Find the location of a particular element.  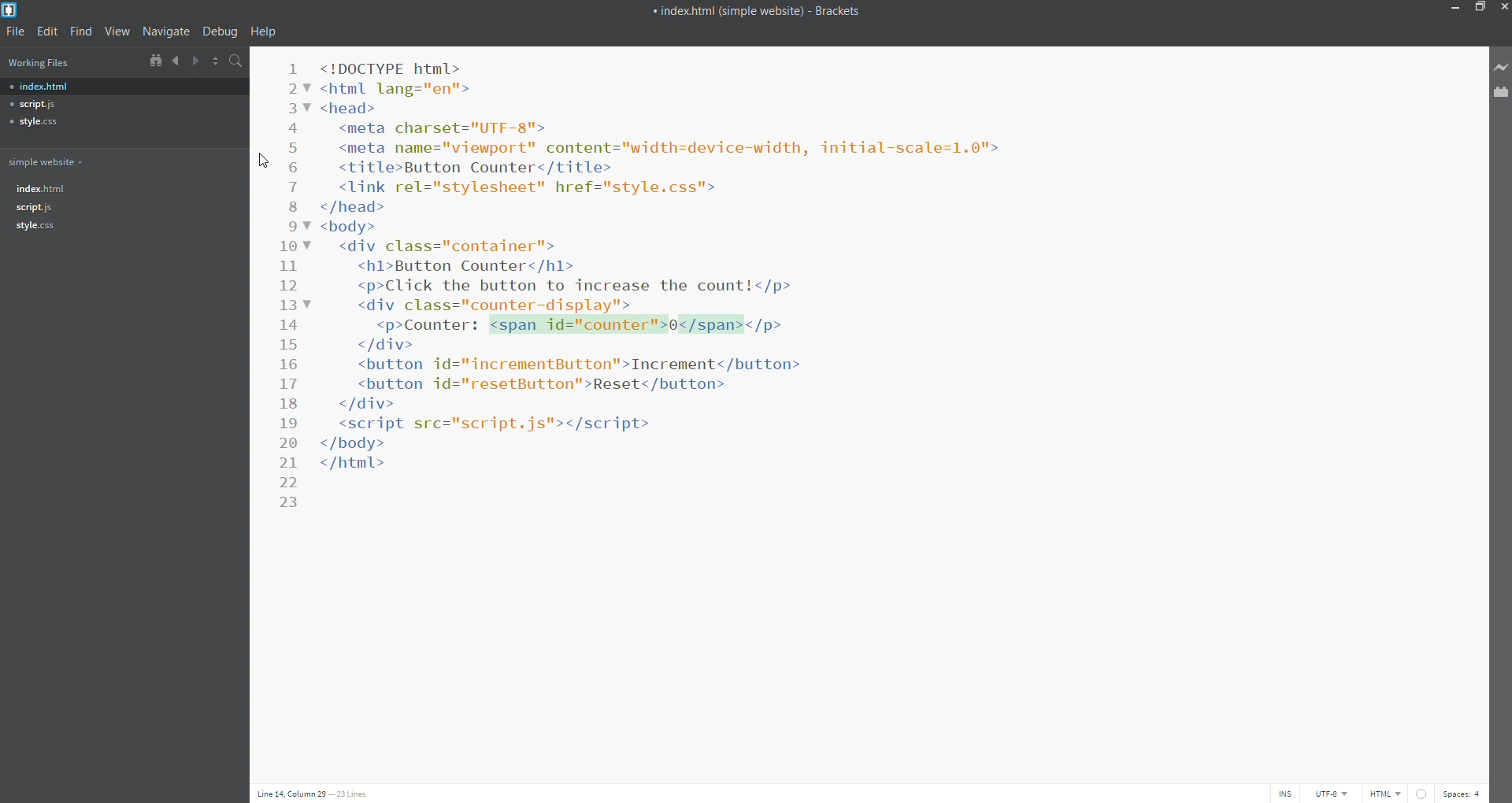

script.js is located at coordinates (123, 209).